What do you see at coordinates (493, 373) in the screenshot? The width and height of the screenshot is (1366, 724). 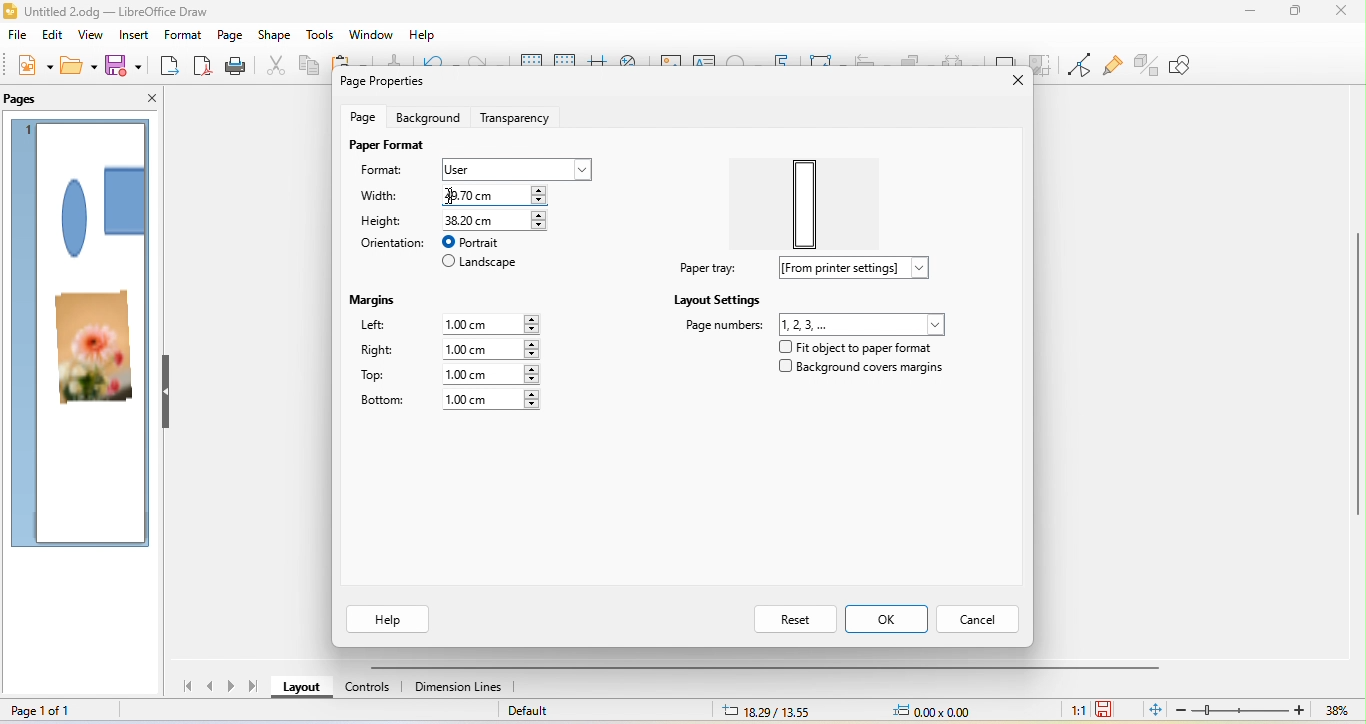 I see `1.00 cm` at bounding box center [493, 373].